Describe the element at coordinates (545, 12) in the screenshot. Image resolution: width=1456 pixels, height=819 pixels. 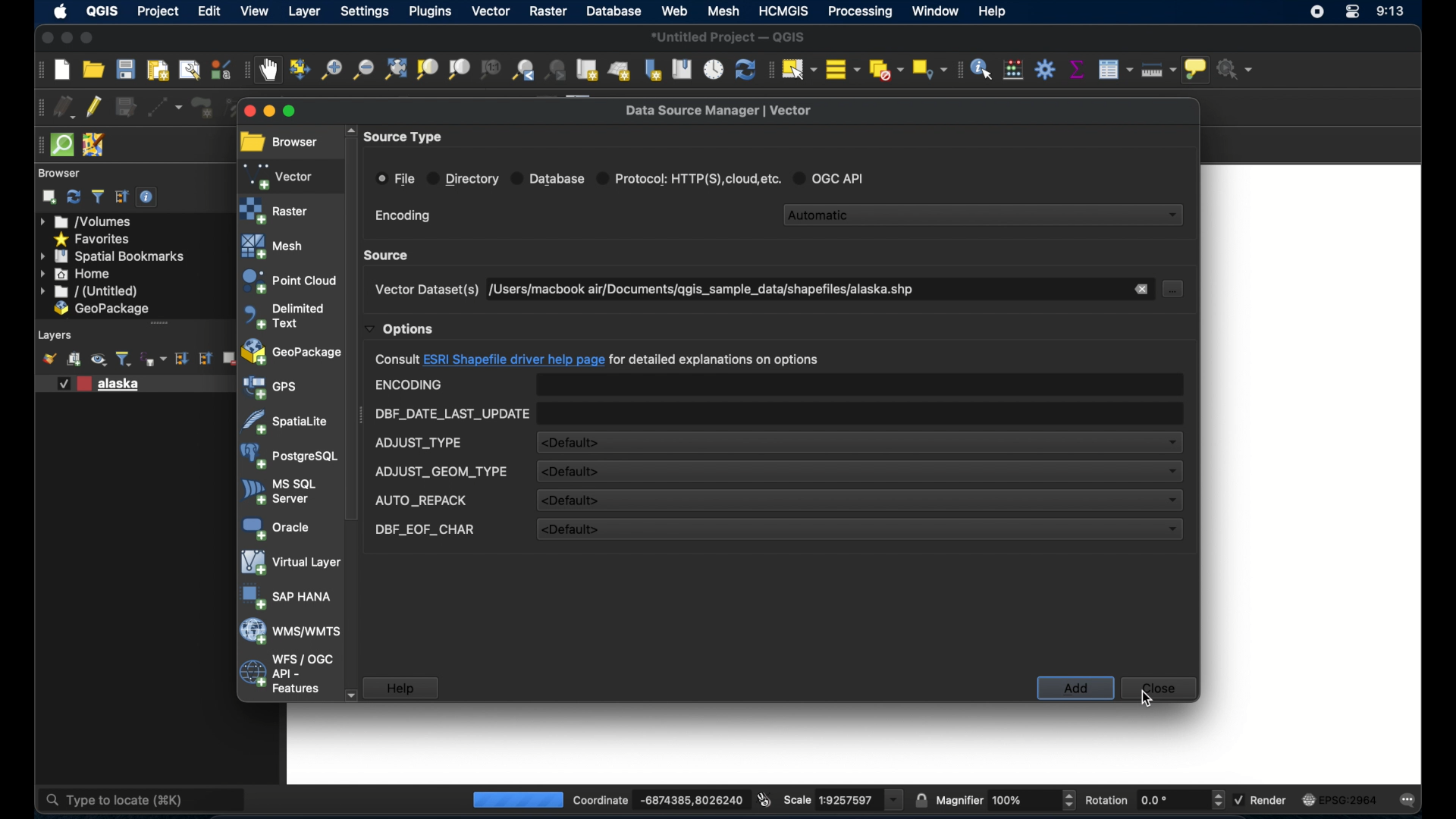
I see `raster` at that location.